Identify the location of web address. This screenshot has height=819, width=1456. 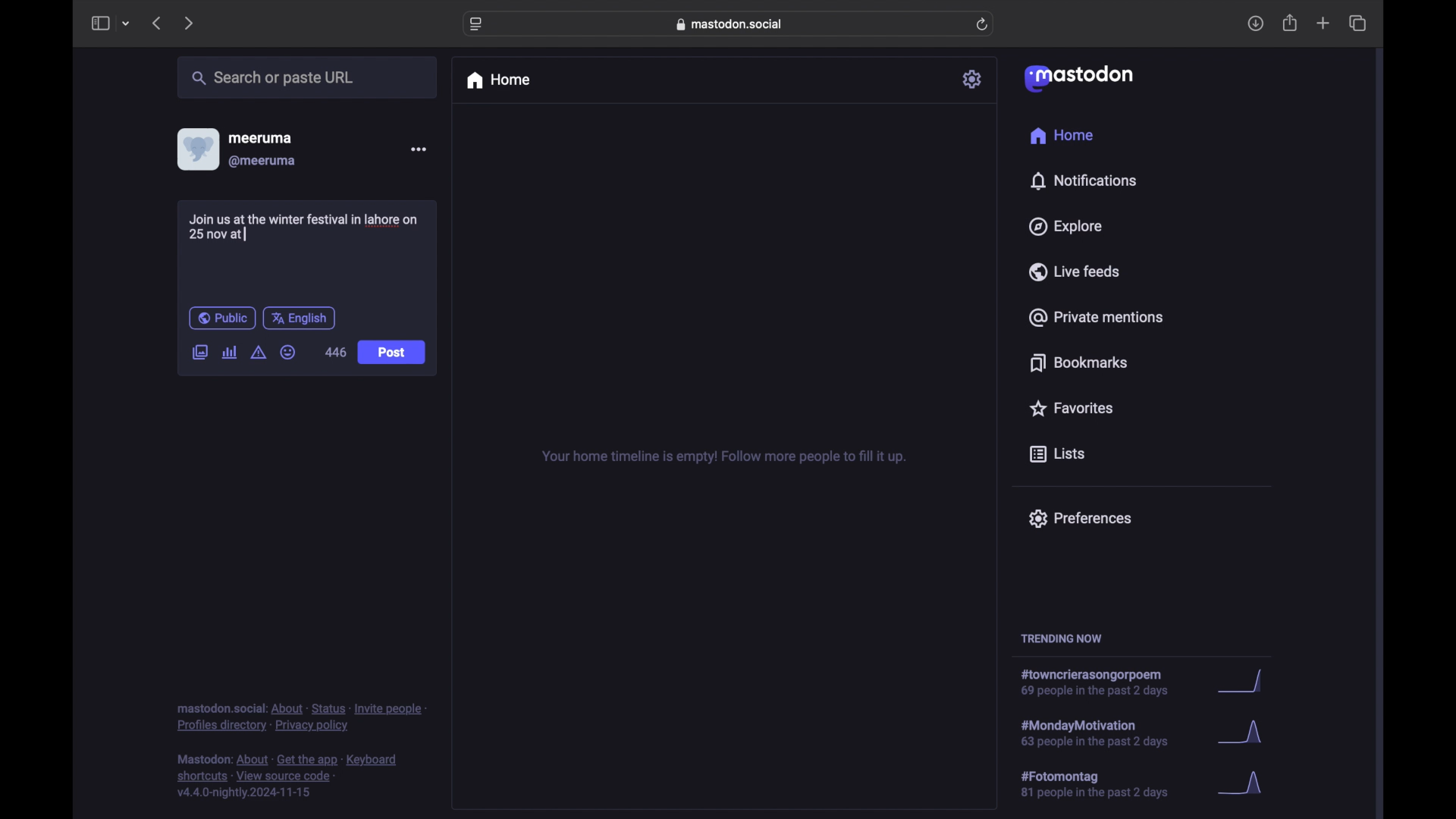
(733, 24).